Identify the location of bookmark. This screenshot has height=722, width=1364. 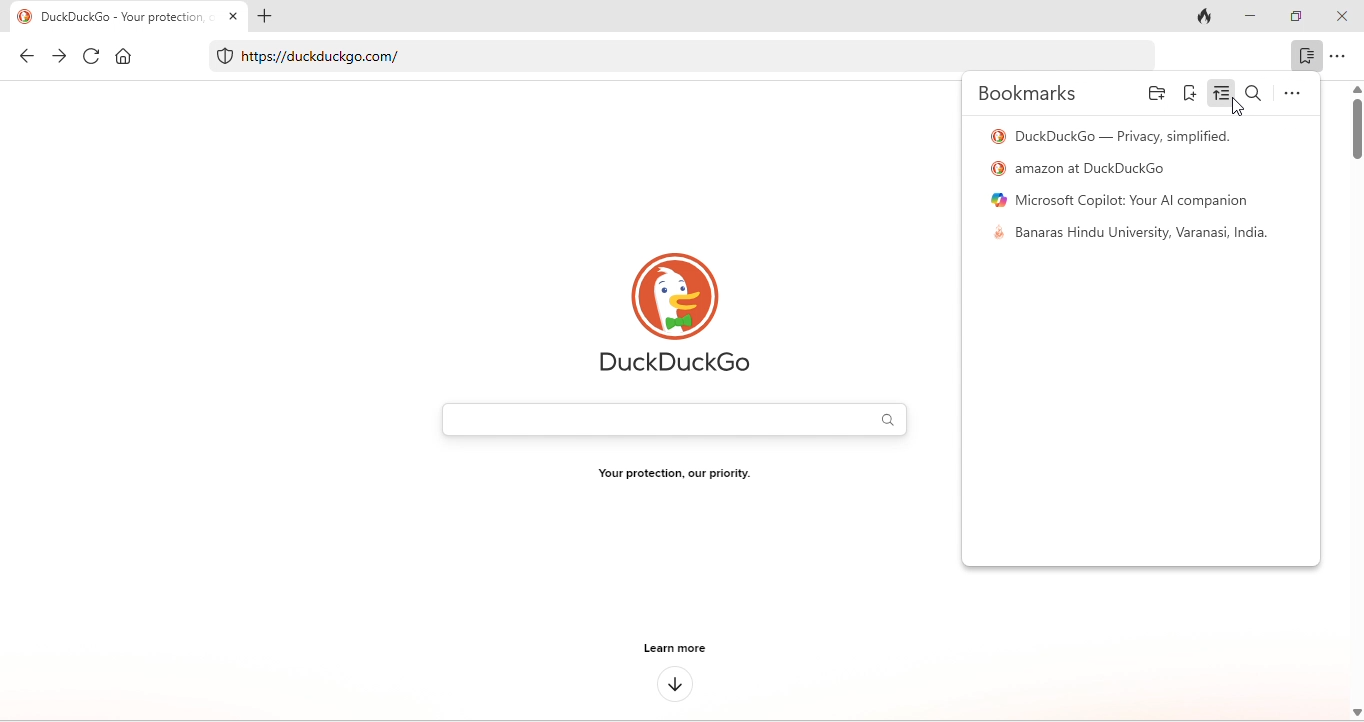
(1302, 55).